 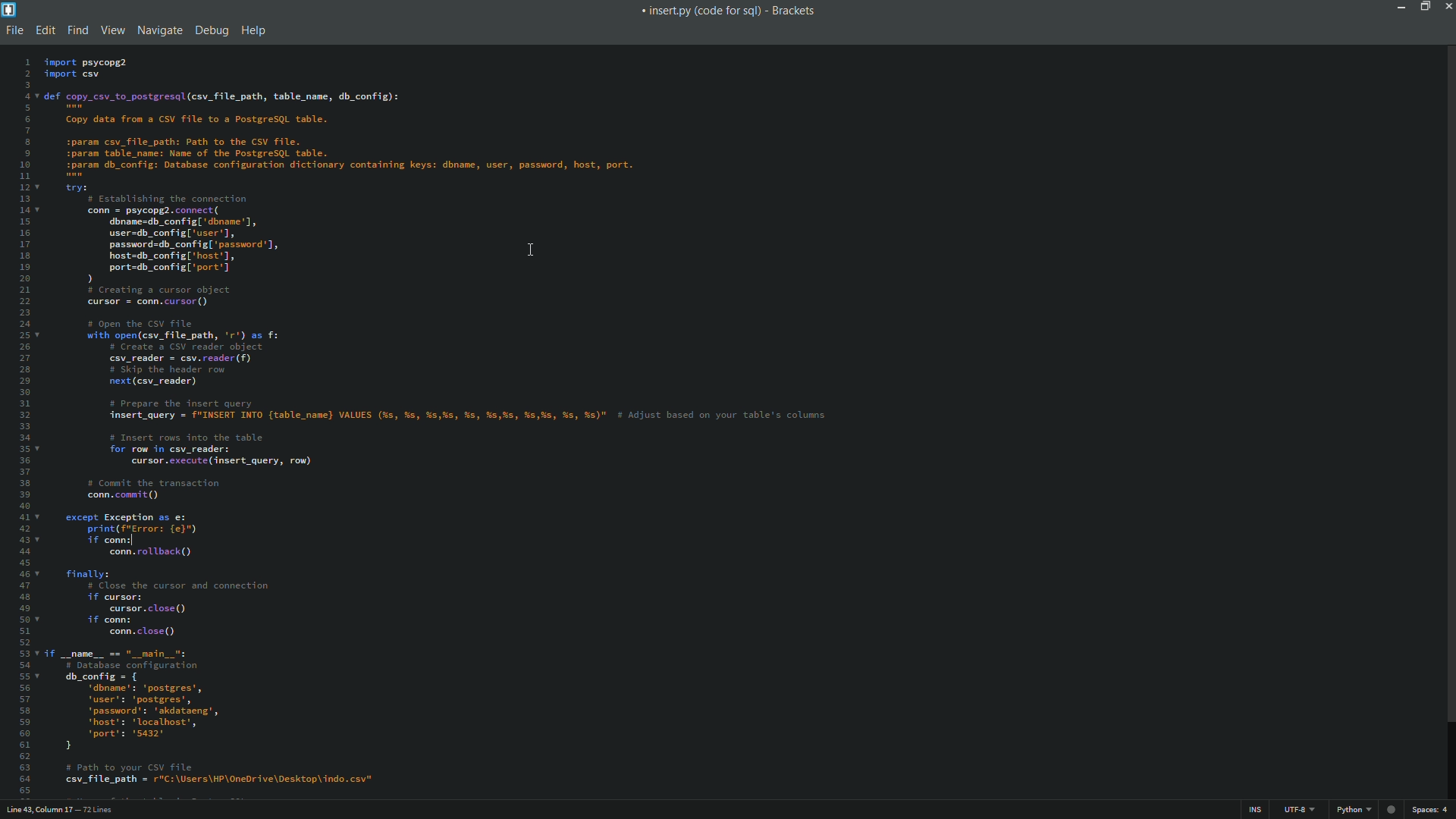 I want to click on line numbers, so click(x=17, y=425).